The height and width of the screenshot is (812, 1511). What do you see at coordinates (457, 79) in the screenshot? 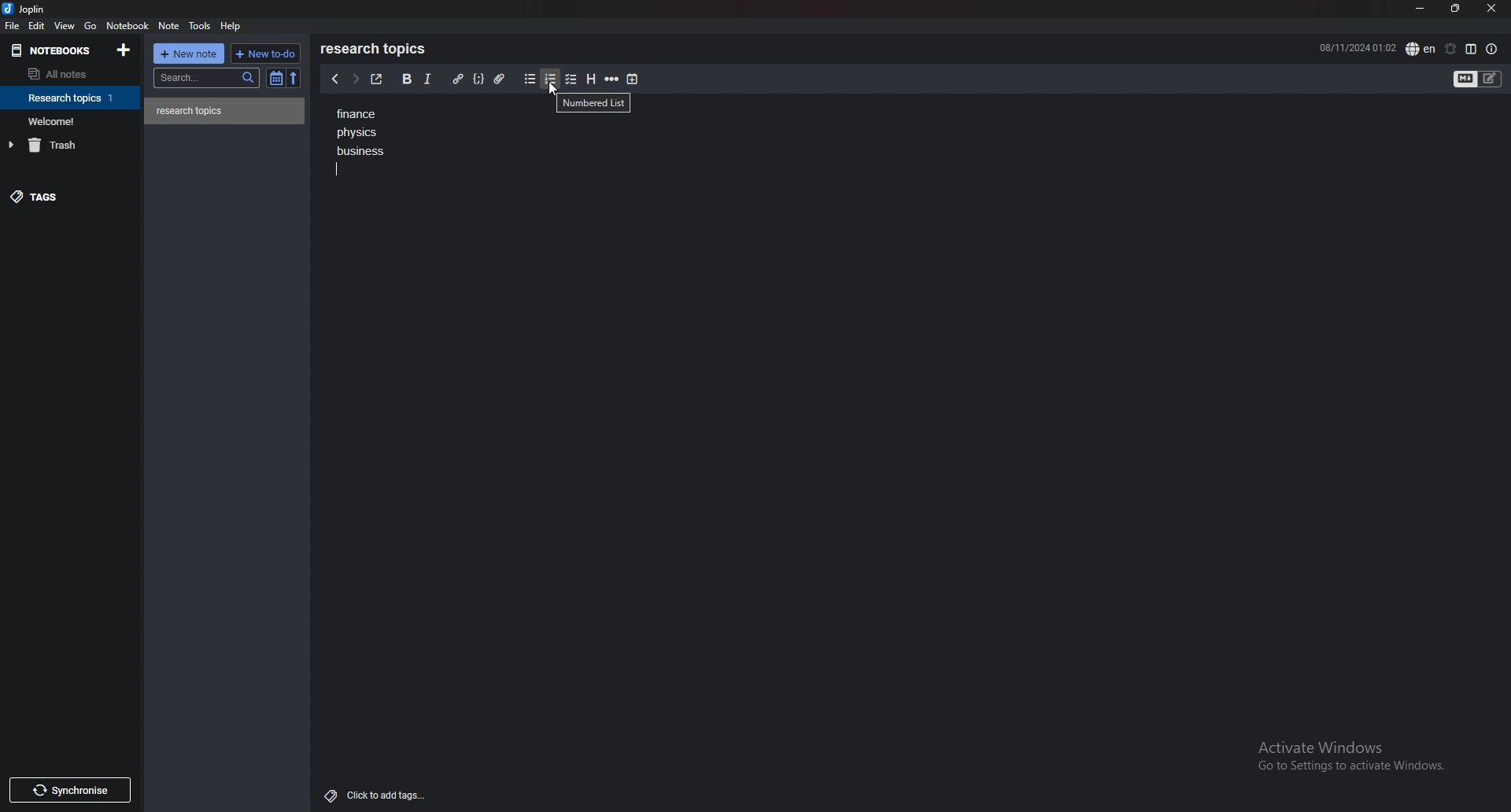
I see `hyperlink` at bounding box center [457, 79].